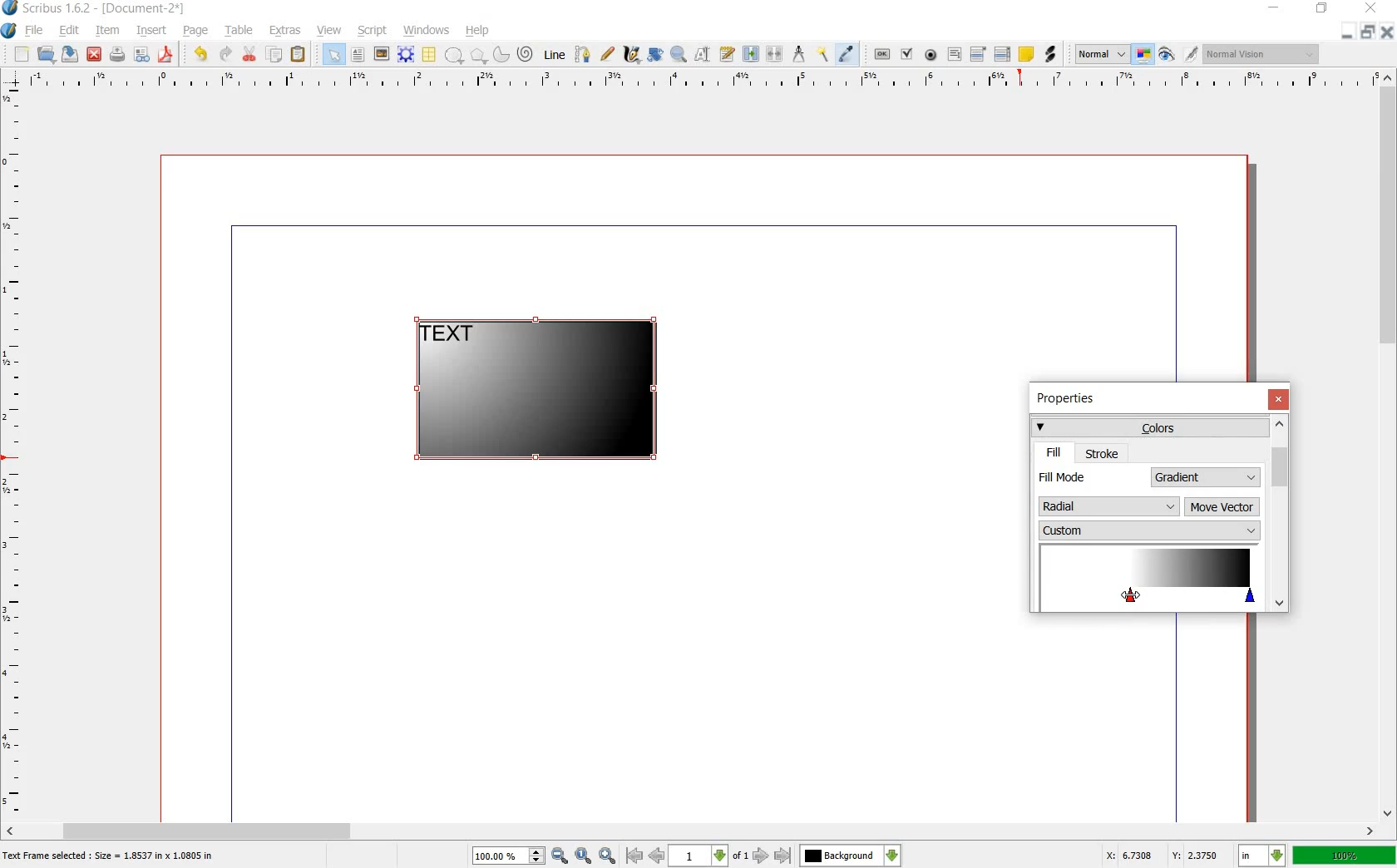  Describe the element at coordinates (1222, 508) in the screenshot. I see `move vector` at that location.